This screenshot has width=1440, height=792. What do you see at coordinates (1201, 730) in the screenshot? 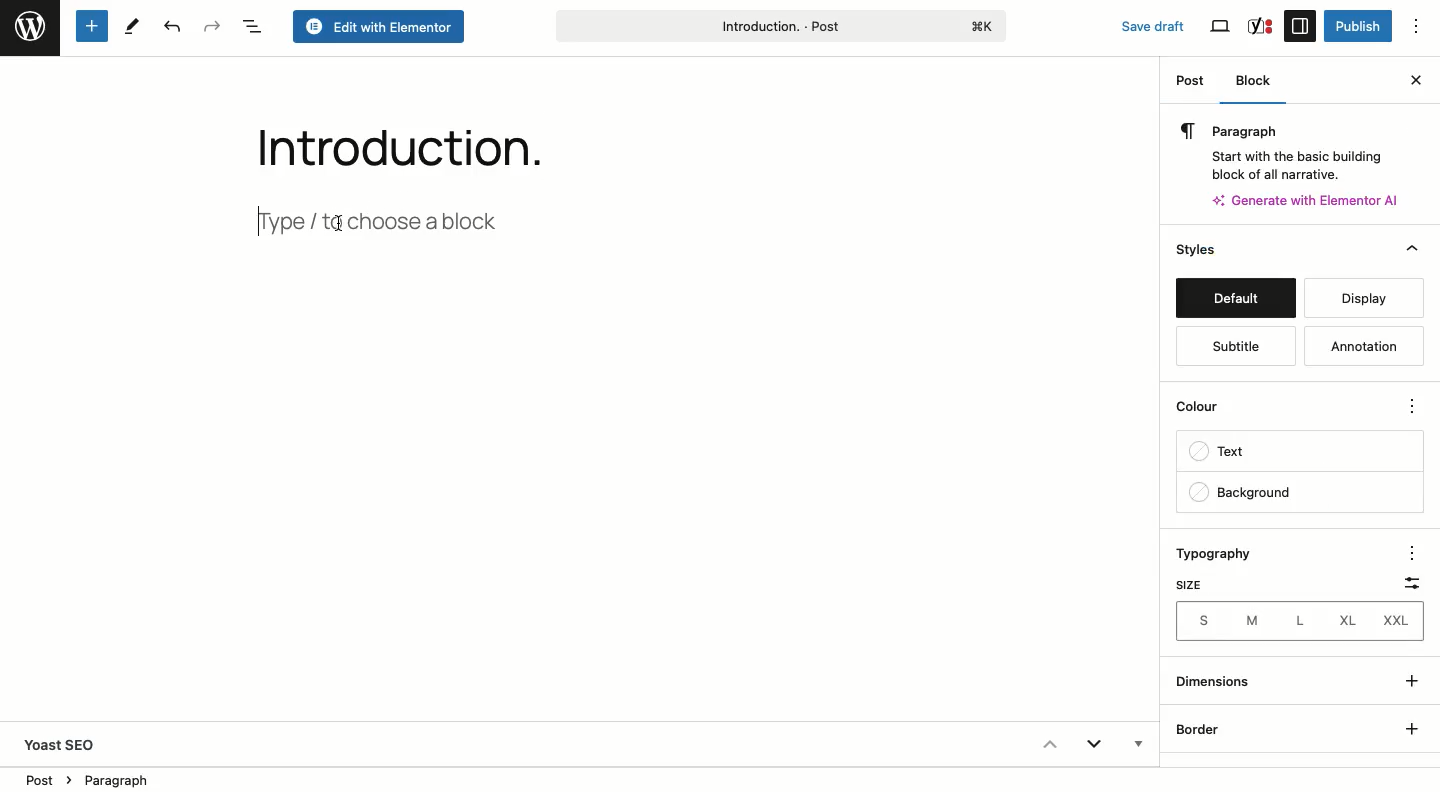
I see `Border` at bounding box center [1201, 730].